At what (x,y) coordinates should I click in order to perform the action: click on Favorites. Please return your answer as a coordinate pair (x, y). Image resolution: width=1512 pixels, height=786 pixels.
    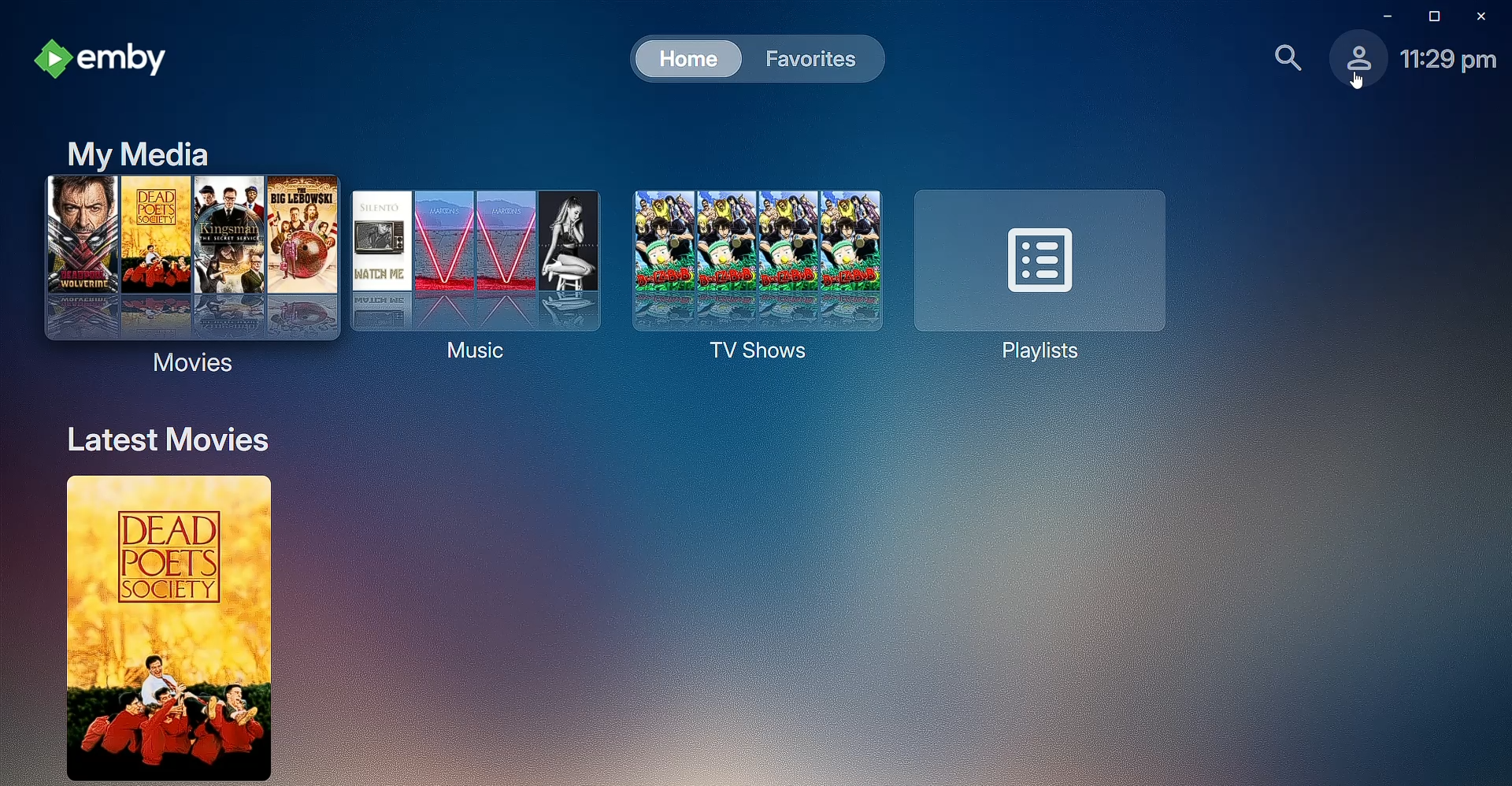
    Looking at the image, I should click on (808, 58).